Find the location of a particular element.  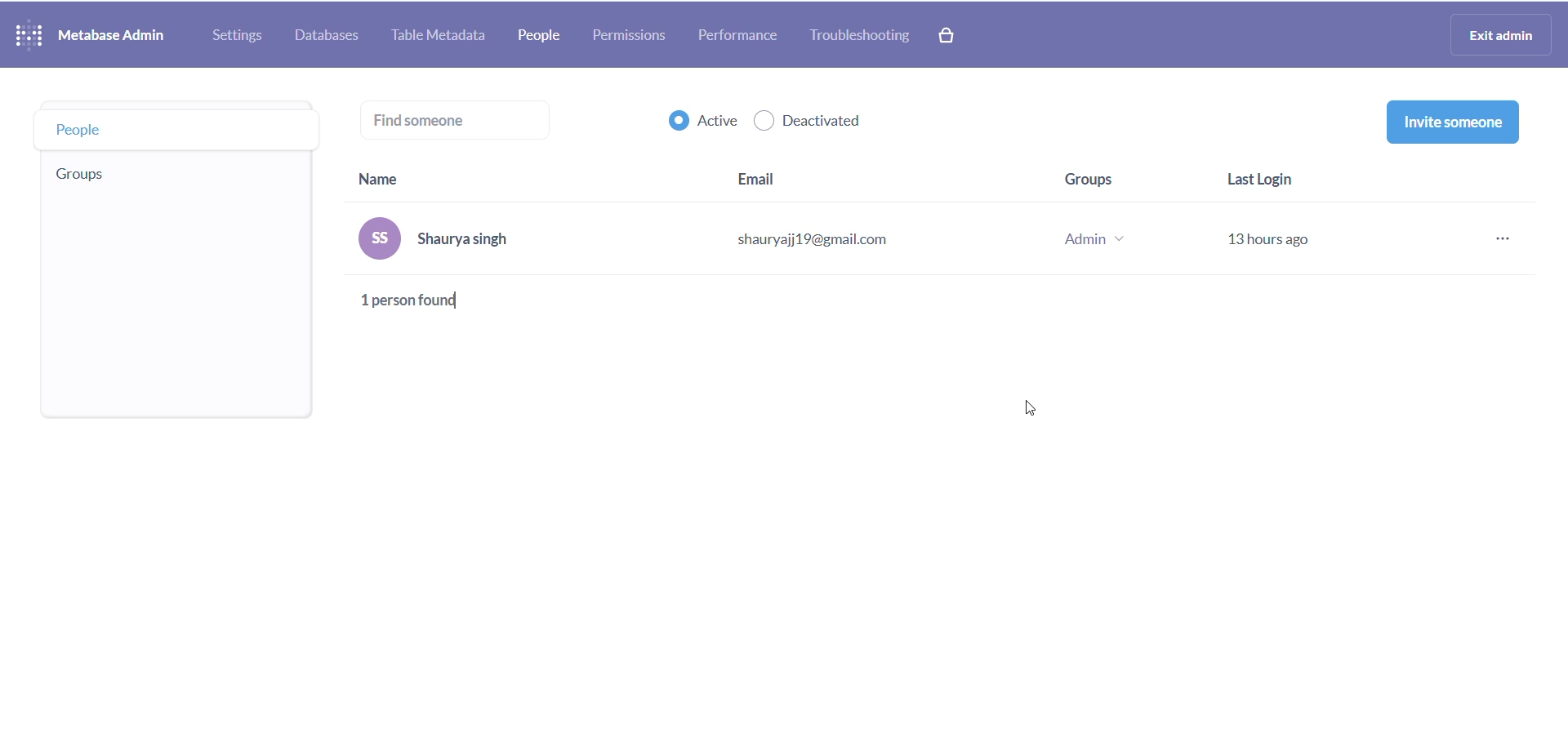

cursor is located at coordinates (1031, 410).